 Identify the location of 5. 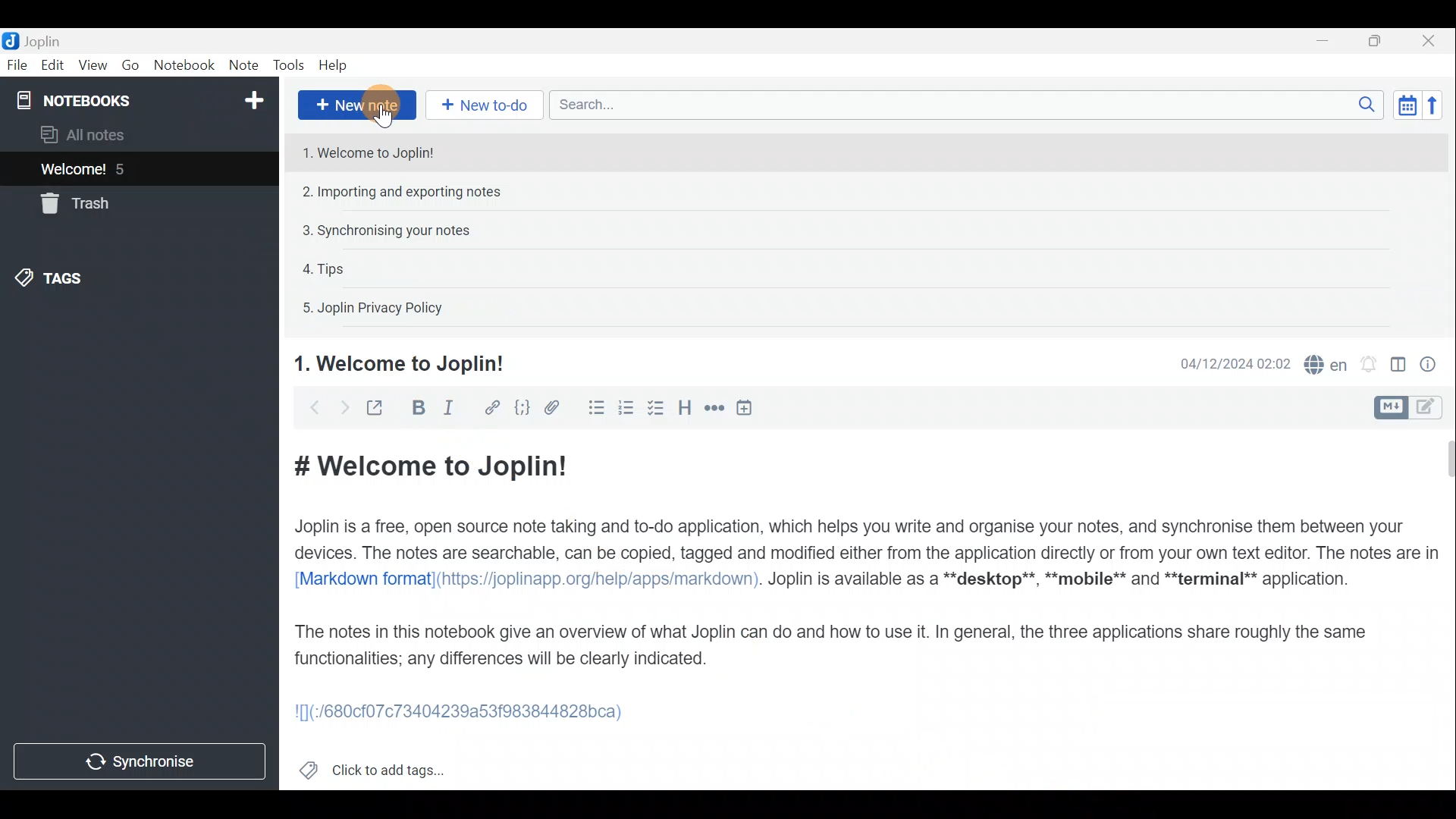
(124, 169).